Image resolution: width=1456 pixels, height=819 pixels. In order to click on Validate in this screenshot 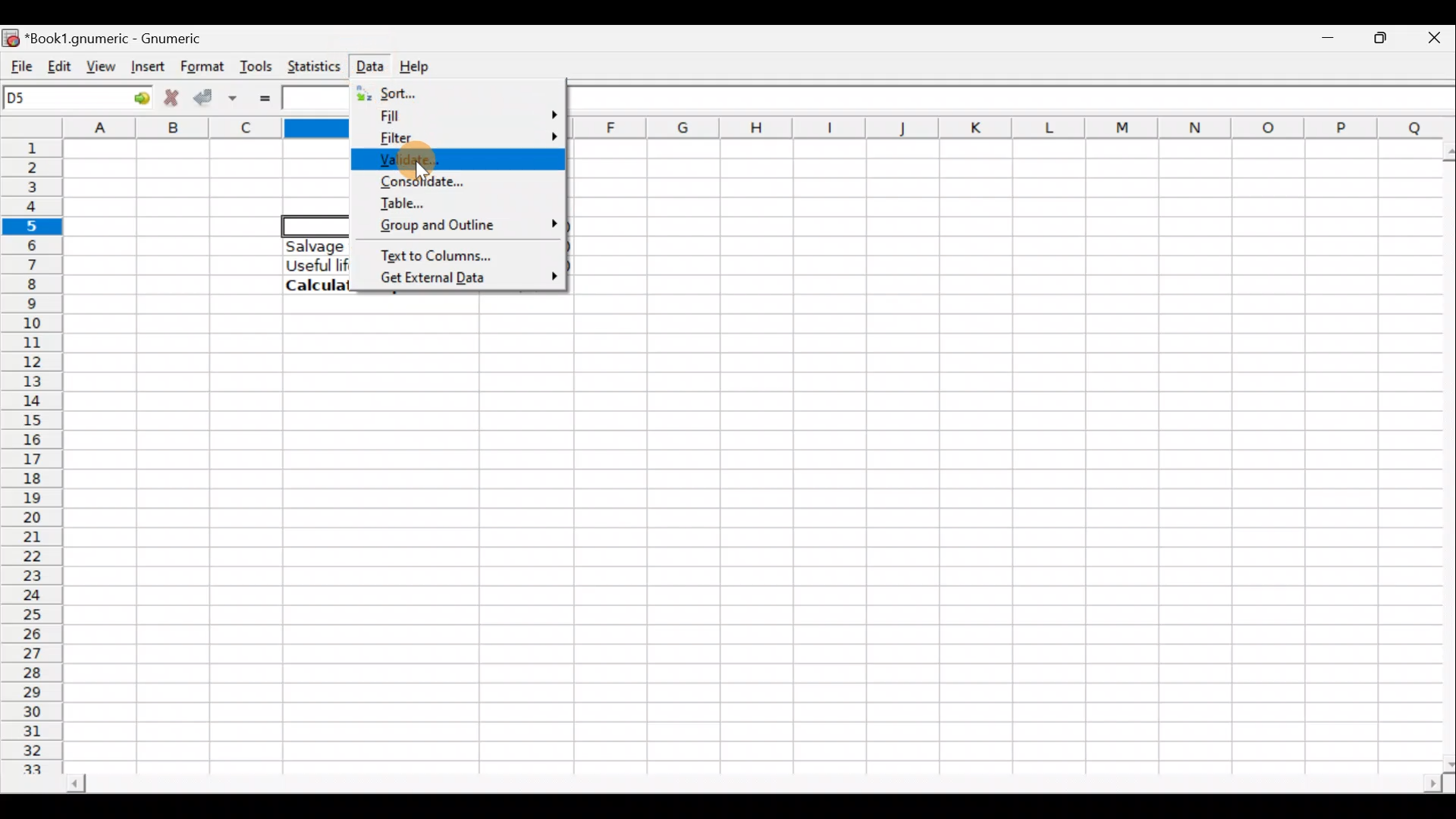, I will do `click(458, 160)`.